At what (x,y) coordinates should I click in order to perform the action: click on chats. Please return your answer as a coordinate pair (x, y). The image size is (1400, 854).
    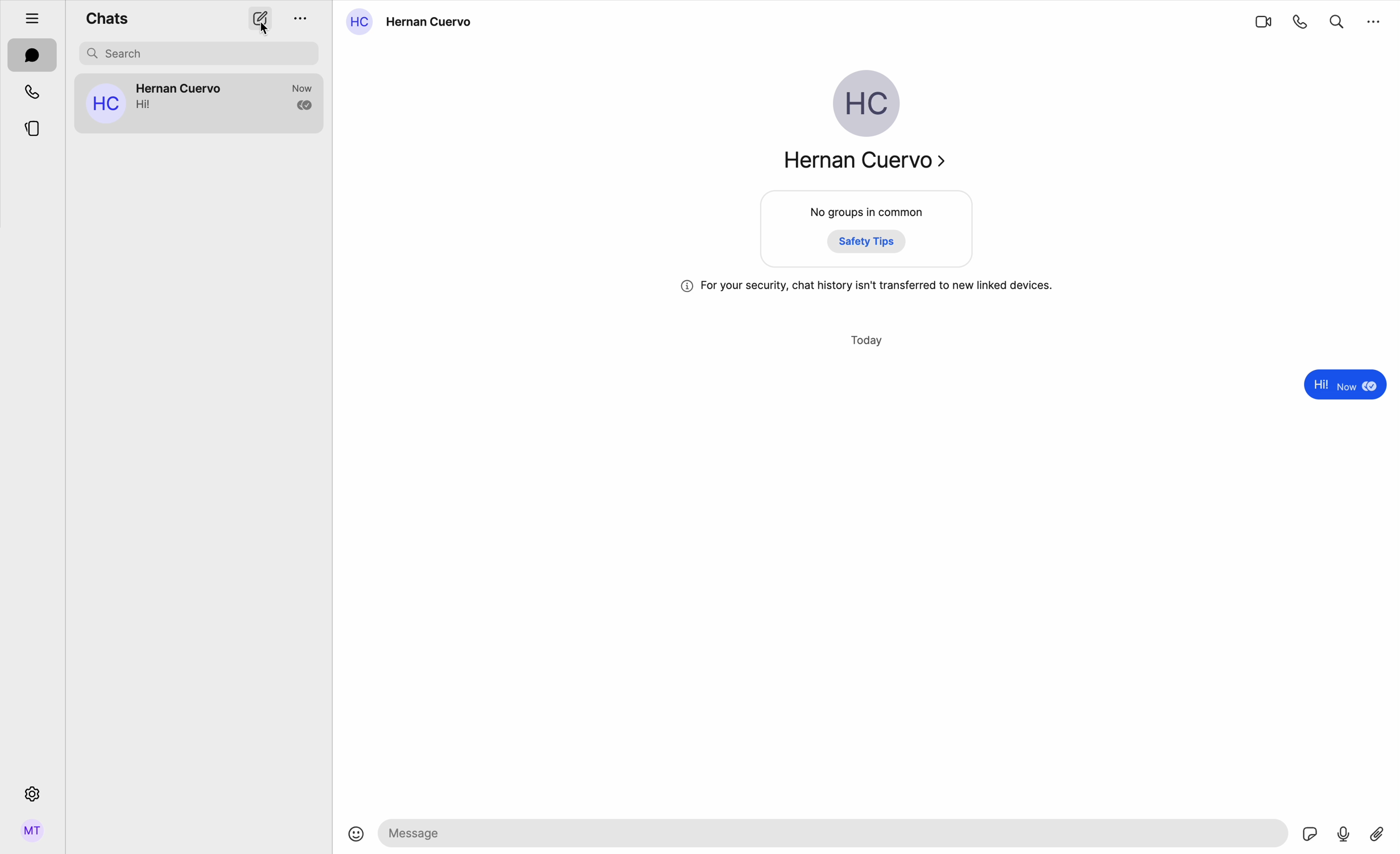
    Looking at the image, I should click on (106, 18).